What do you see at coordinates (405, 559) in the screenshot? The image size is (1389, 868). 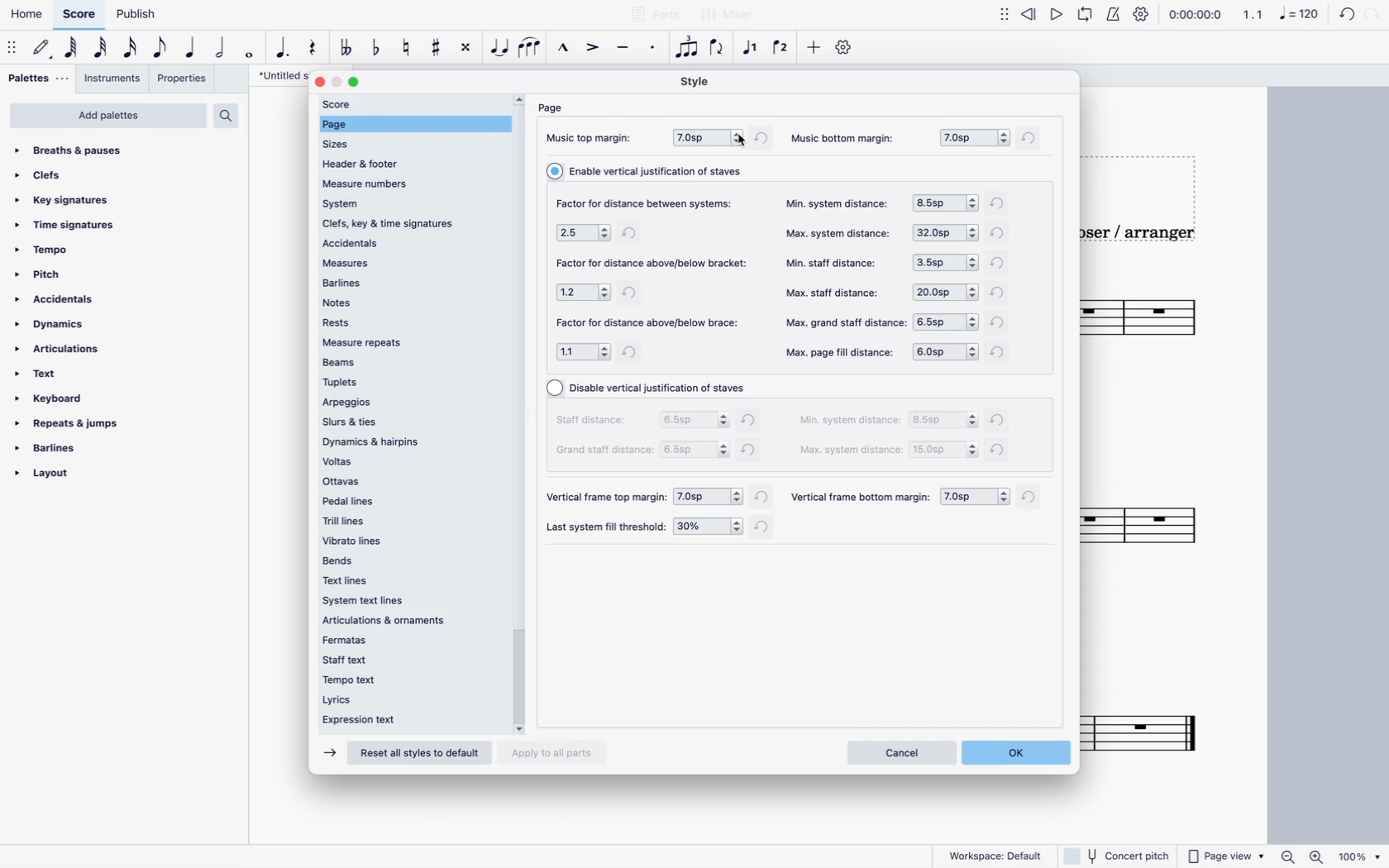 I see `bends` at bounding box center [405, 559].